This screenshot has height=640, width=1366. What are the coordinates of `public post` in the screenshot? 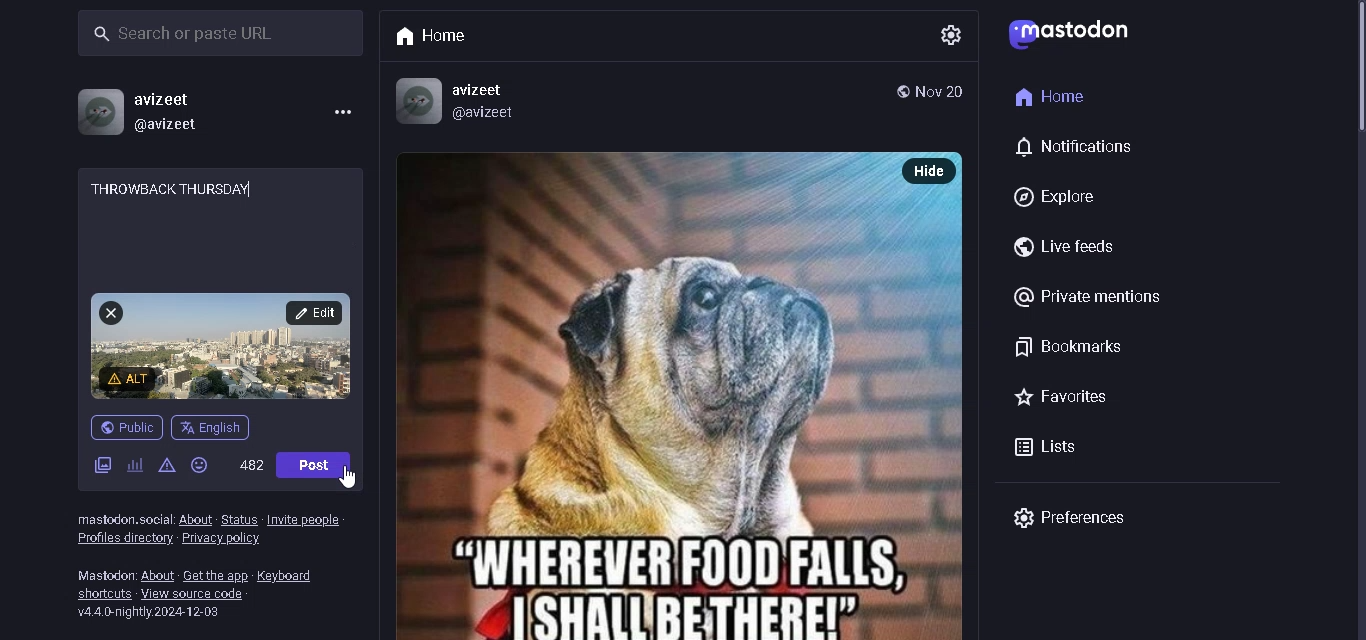 It's located at (899, 90).